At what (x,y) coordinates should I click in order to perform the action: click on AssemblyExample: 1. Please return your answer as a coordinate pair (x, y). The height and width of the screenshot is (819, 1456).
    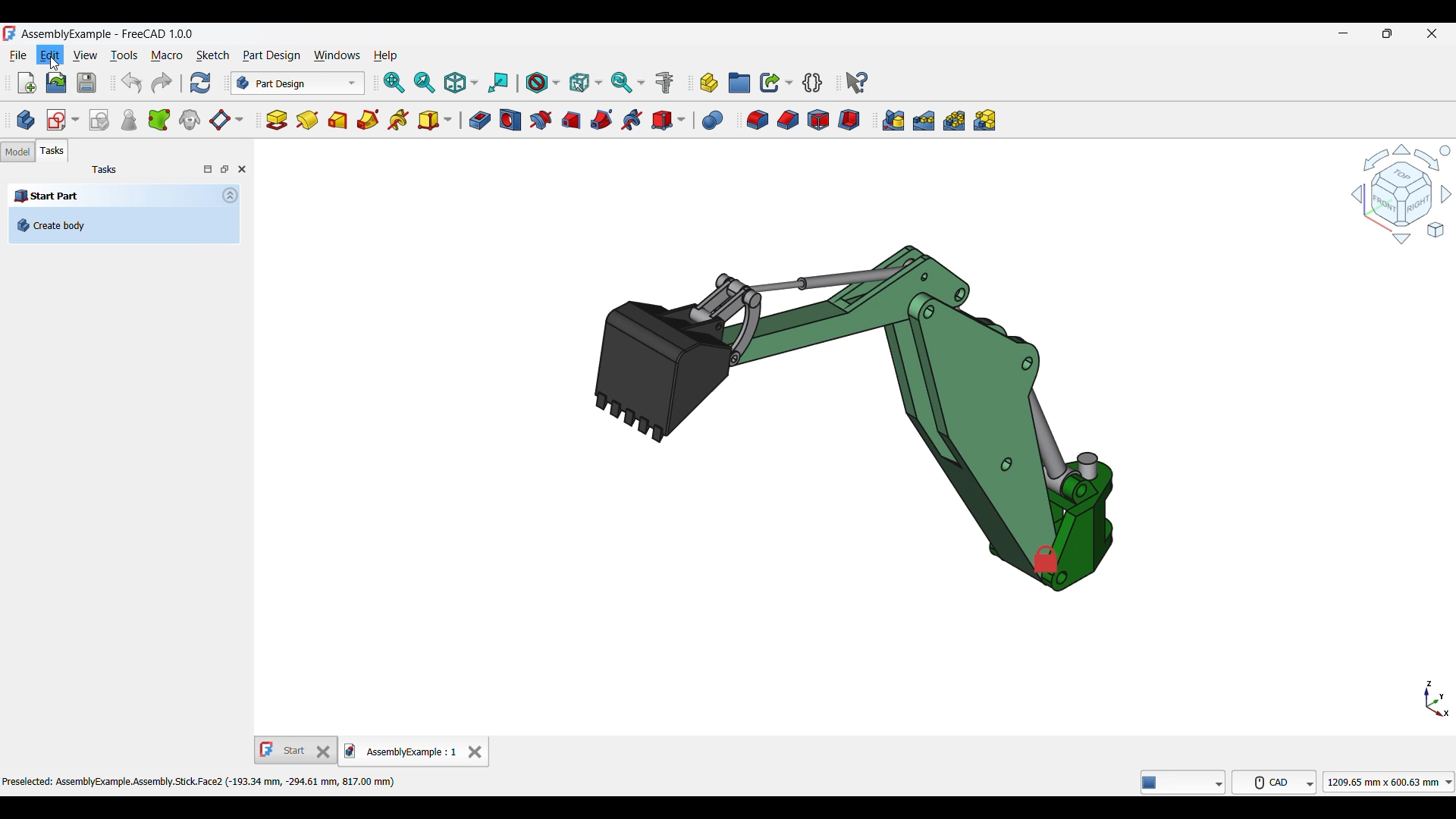
    Looking at the image, I should click on (401, 753).